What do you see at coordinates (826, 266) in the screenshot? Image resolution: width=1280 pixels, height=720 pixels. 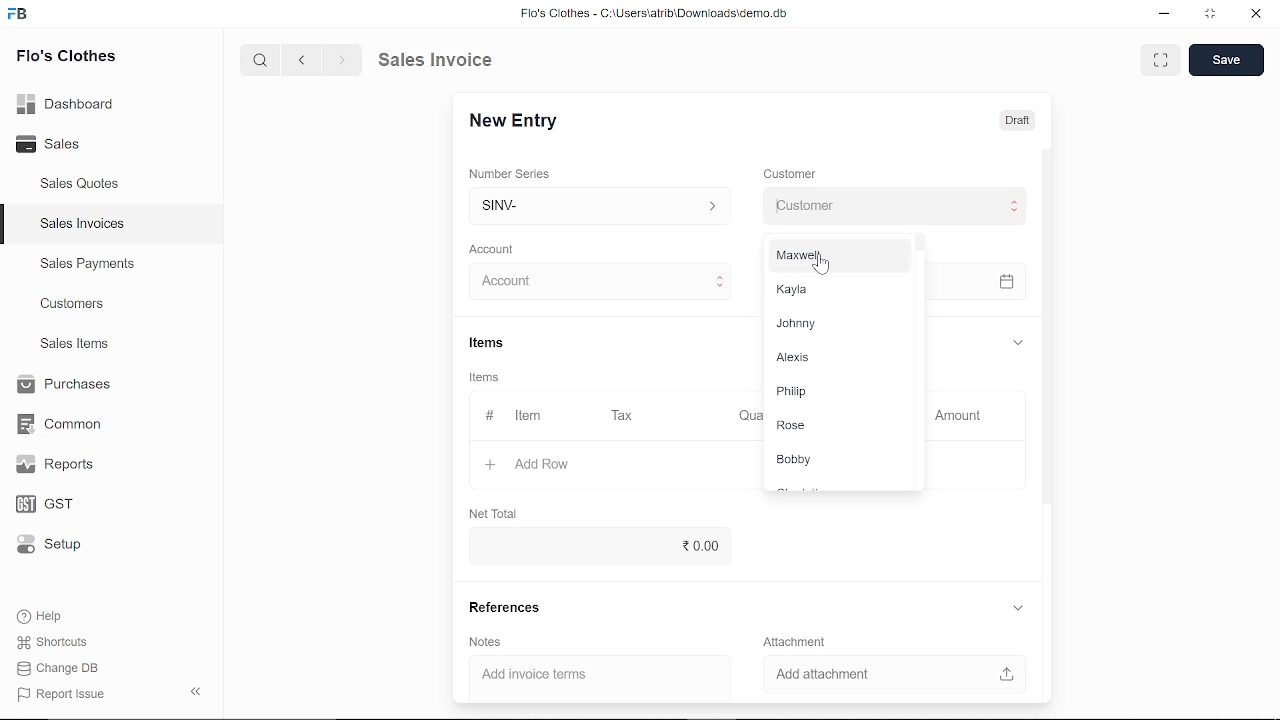 I see `cursor` at bounding box center [826, 266].